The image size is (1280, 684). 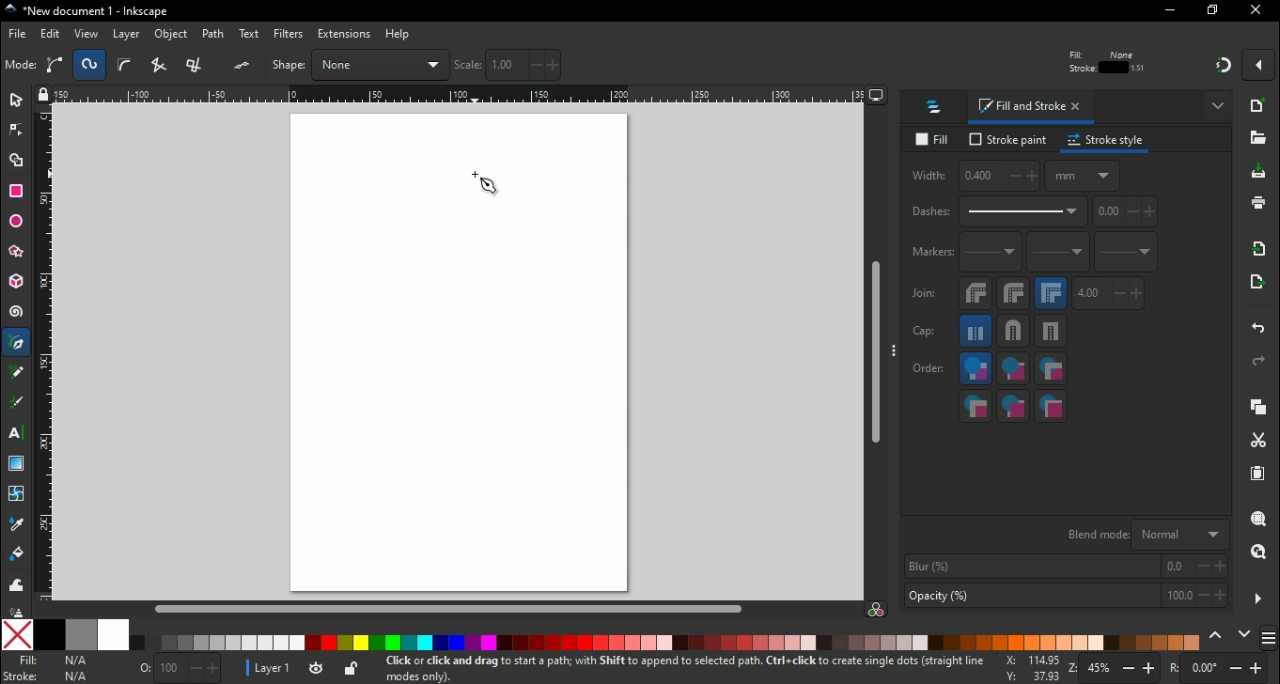 I want to click on filters, so click(x=289, y=34).